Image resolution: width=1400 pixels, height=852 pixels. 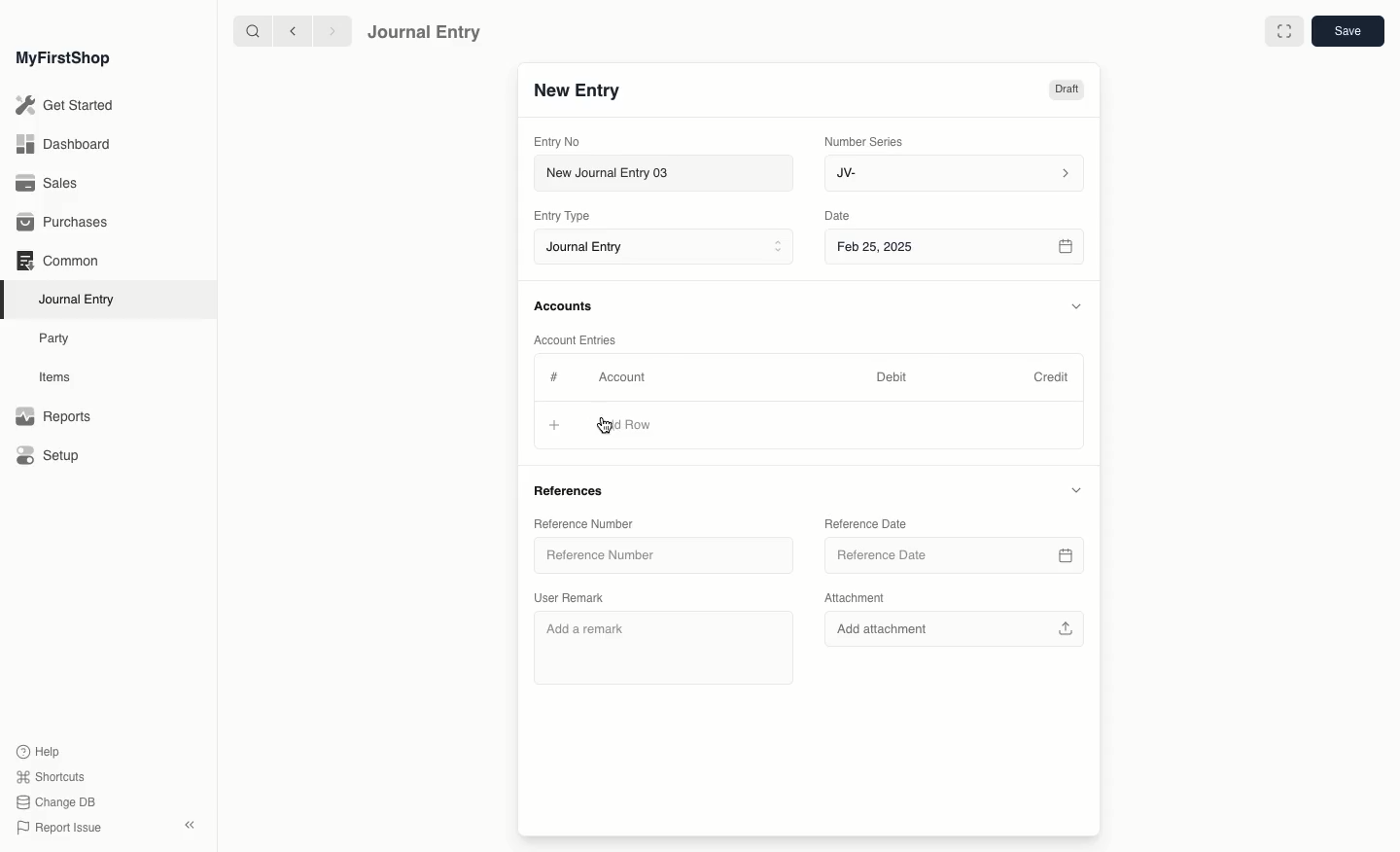 What do you see at coordinates (558, 378) in the screenshot?
I see `Hashtag` at bounding box center [558, 378].